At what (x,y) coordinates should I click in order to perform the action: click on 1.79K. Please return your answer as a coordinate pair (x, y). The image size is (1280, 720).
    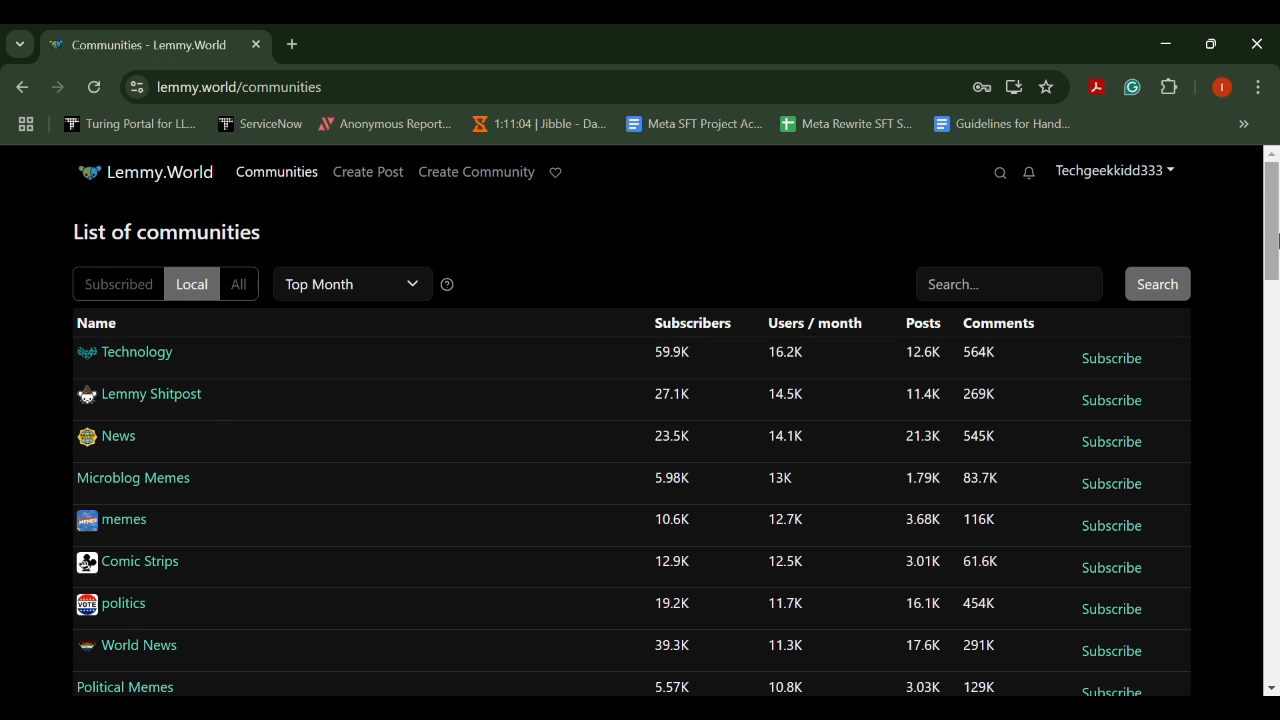
    Looking at the image, I should click on (921, 477).